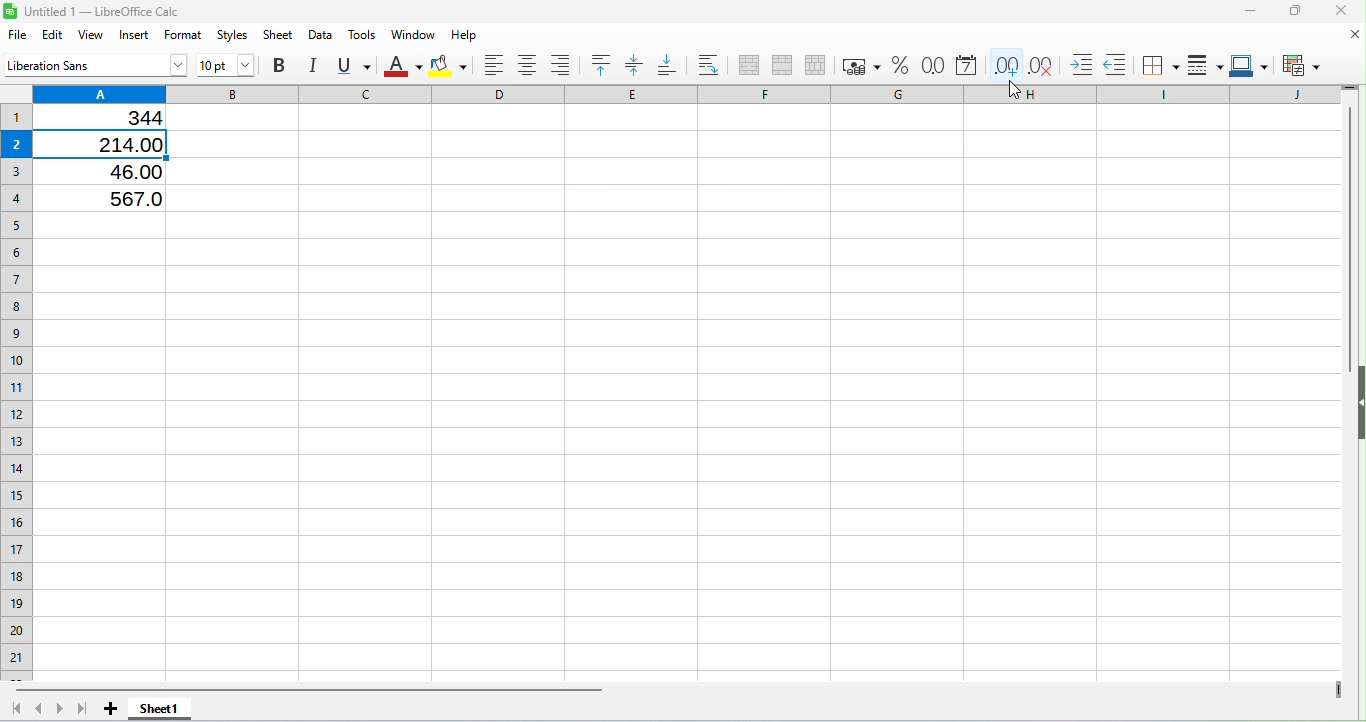  What do you see at coordinates (686, 92) in the screenshot?
I see `Columns` at bounding box center [686, 92].